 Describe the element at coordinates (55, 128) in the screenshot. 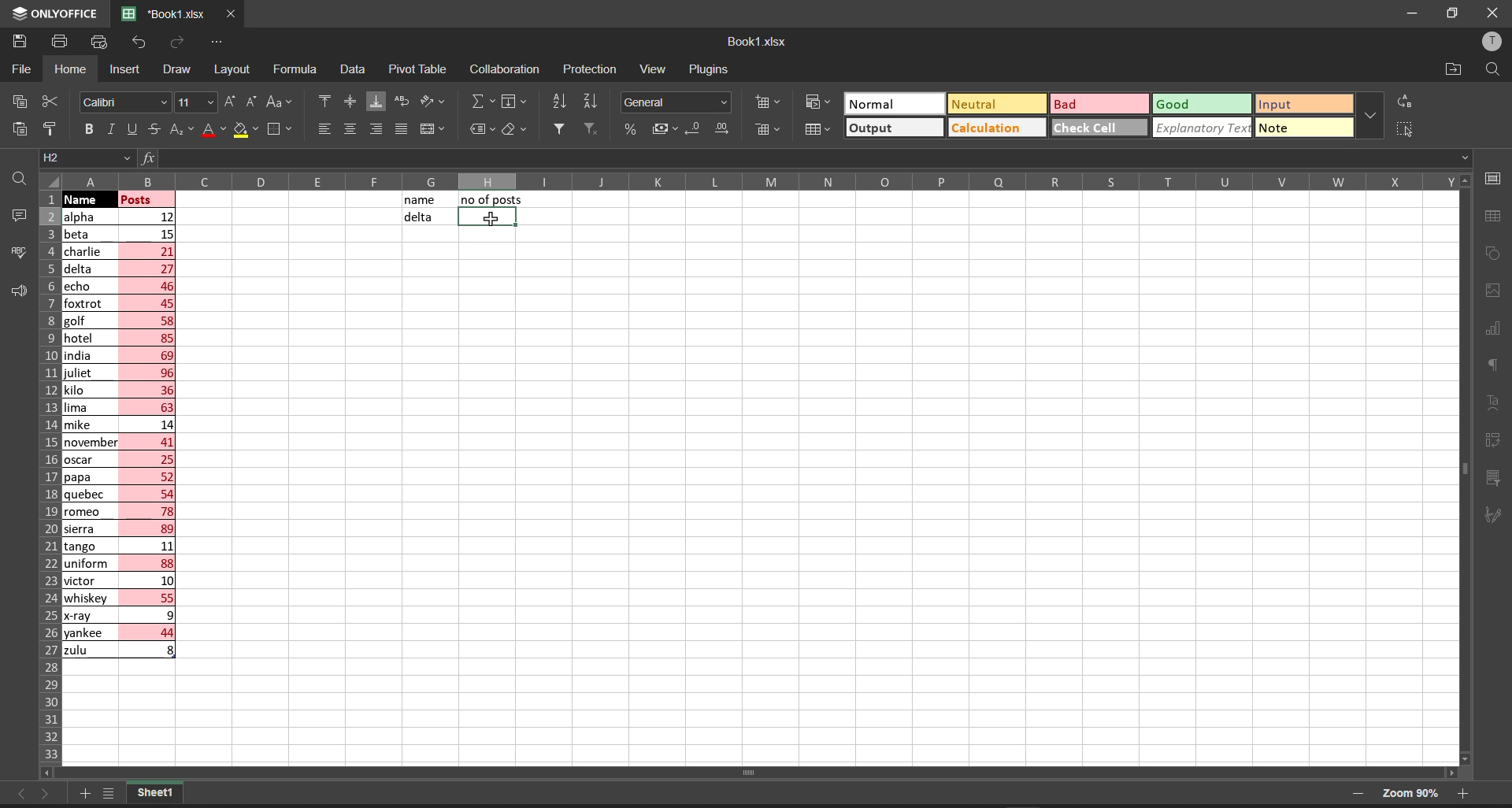

I see `copy style` at that location.